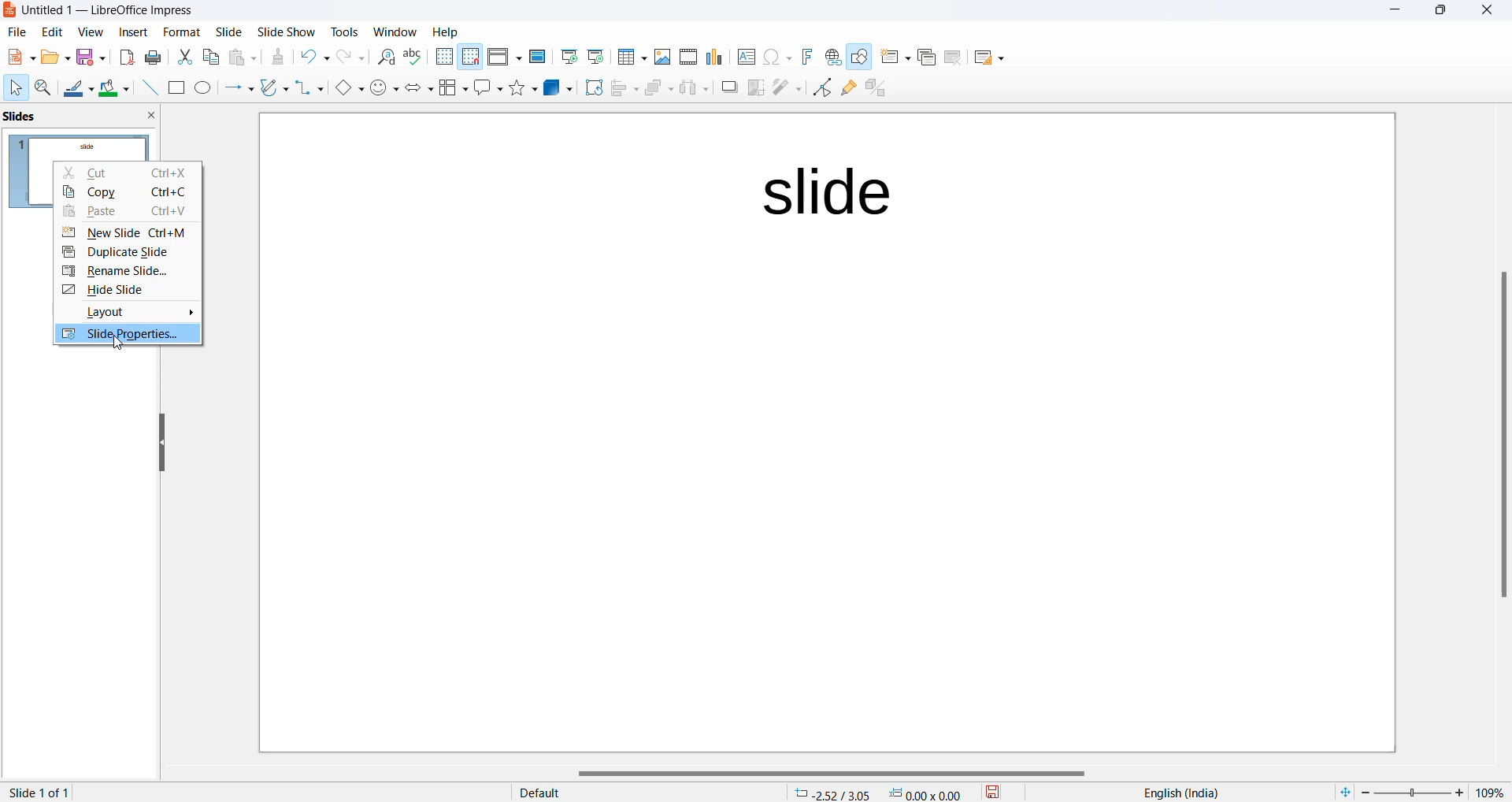 Image resolution: width=1512 pixels, height=802 pixels. I want to click on duplicate slide input element, so click(129, 254).